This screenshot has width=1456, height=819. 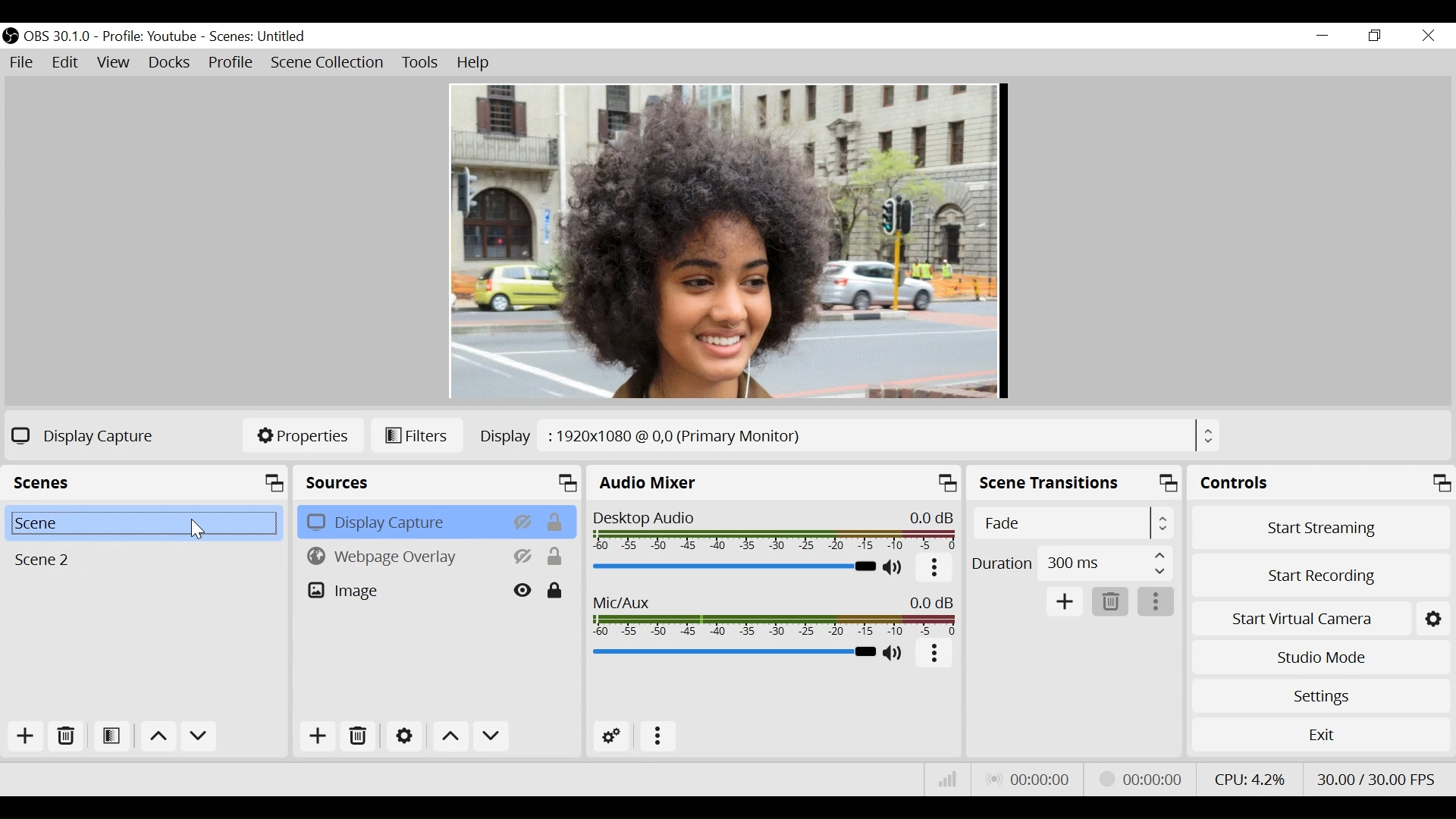 I want to click on Edit, so click(x=64, y=63).